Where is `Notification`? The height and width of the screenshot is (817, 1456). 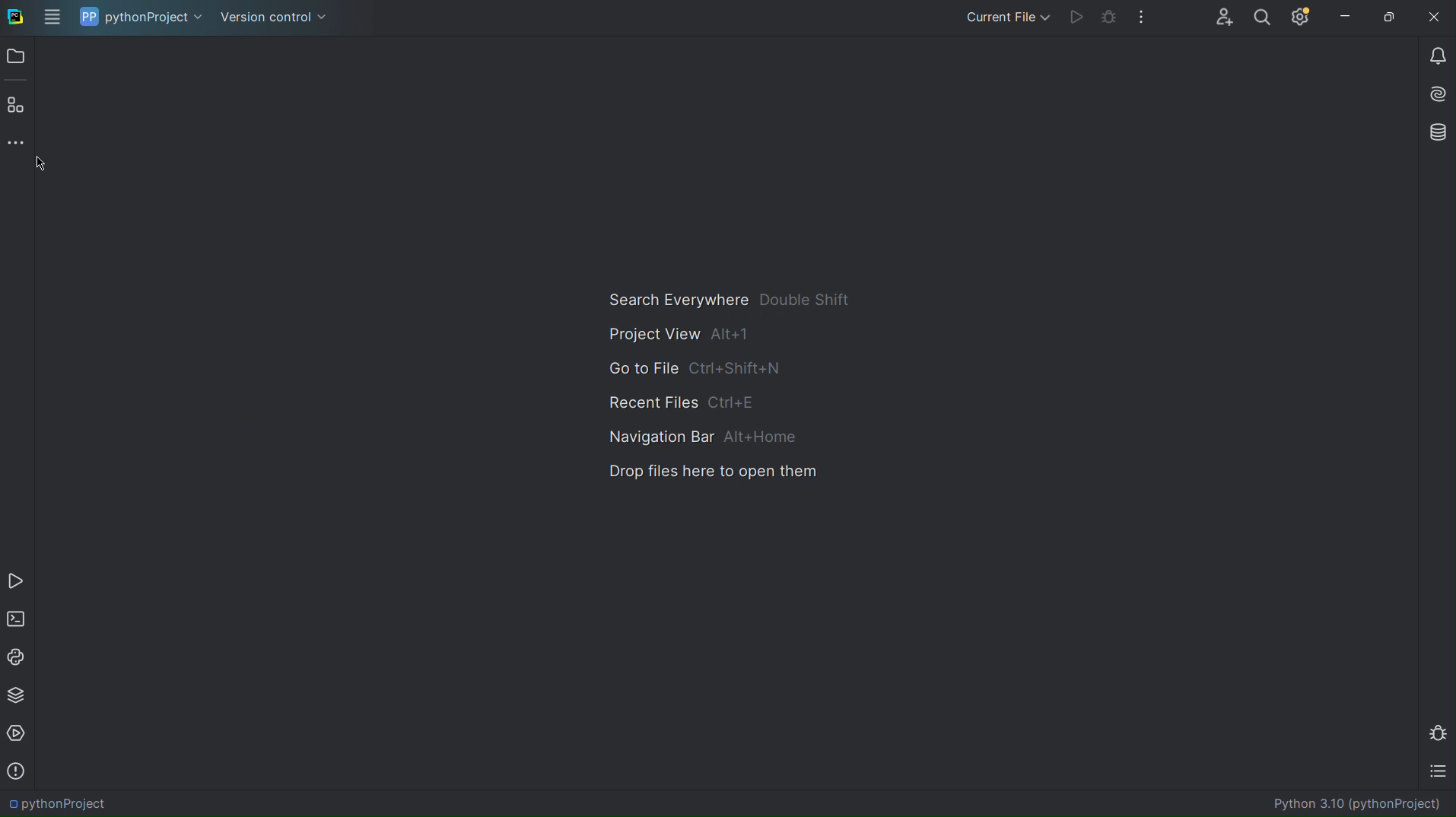 Notification is located at coordinates (1434, 56).